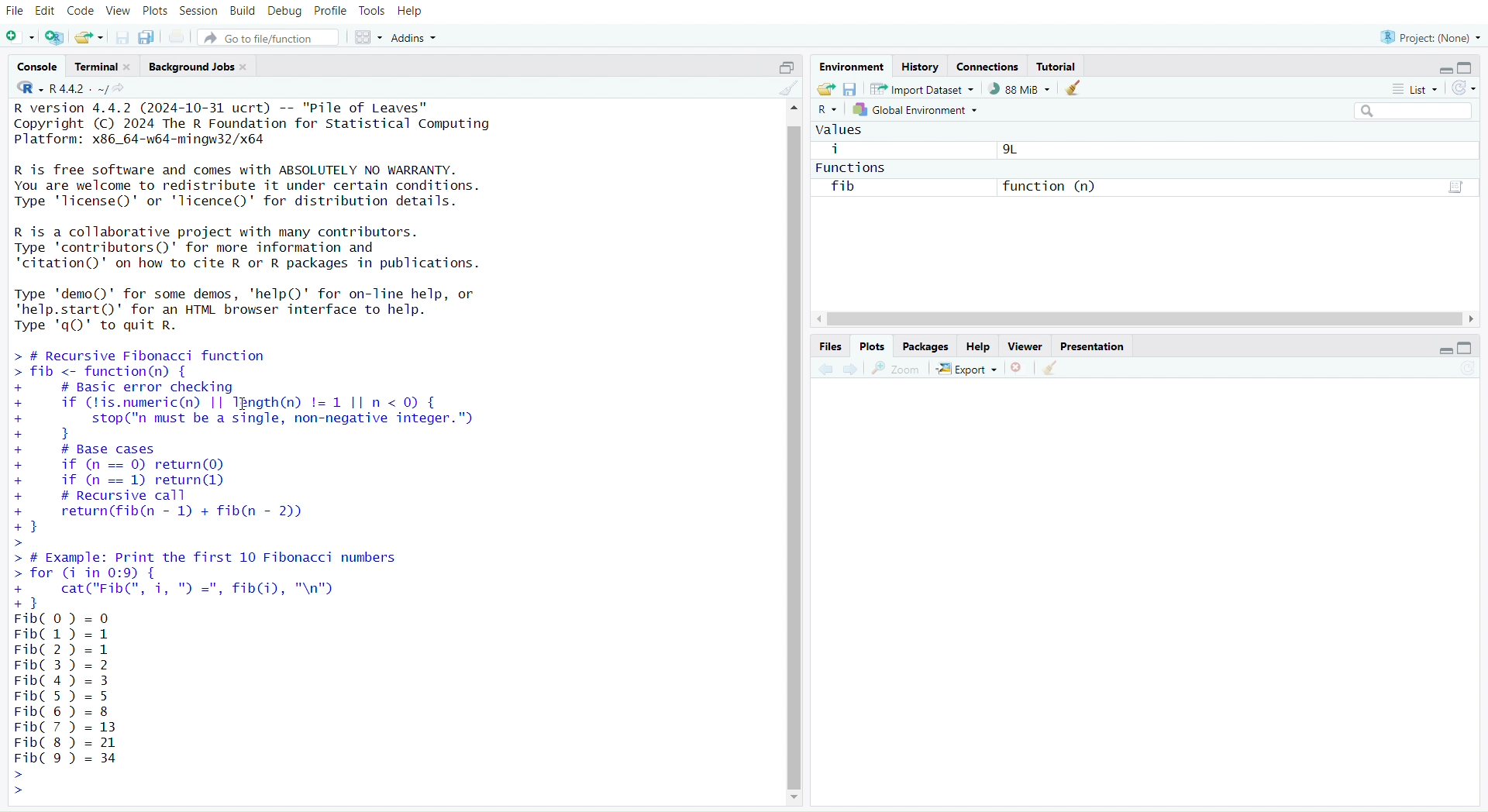 The image size is (1488, 812). Describe the element at coordinates (1055, 369) in the screenshot. I see `clear all plot` at that location.